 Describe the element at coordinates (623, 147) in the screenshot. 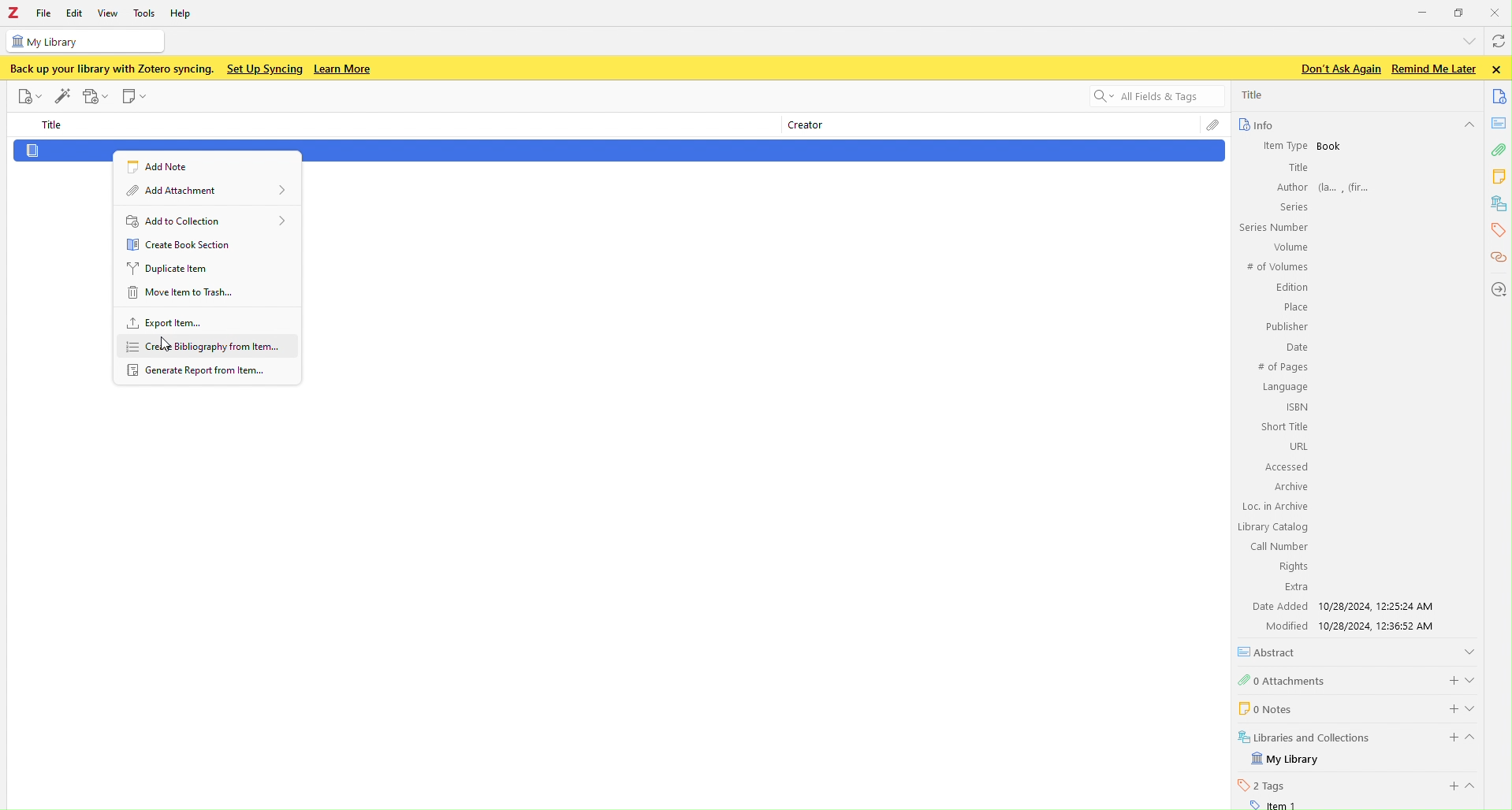

I see `Document` at that location.